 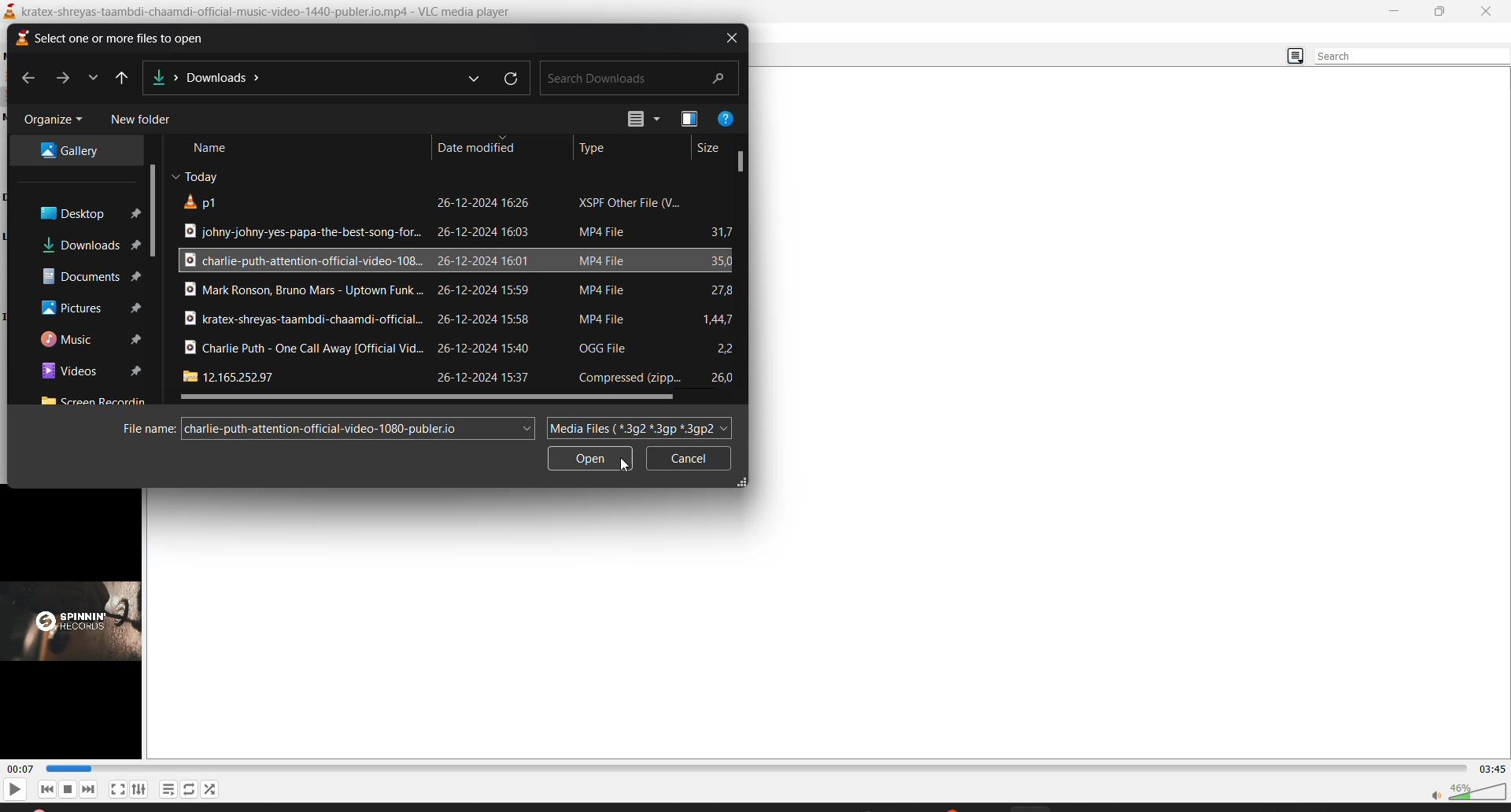 What do you see at coordinates (76, 622) in the screenshot?
I see `thumbnail/preview` at bounding box center [76, 622].